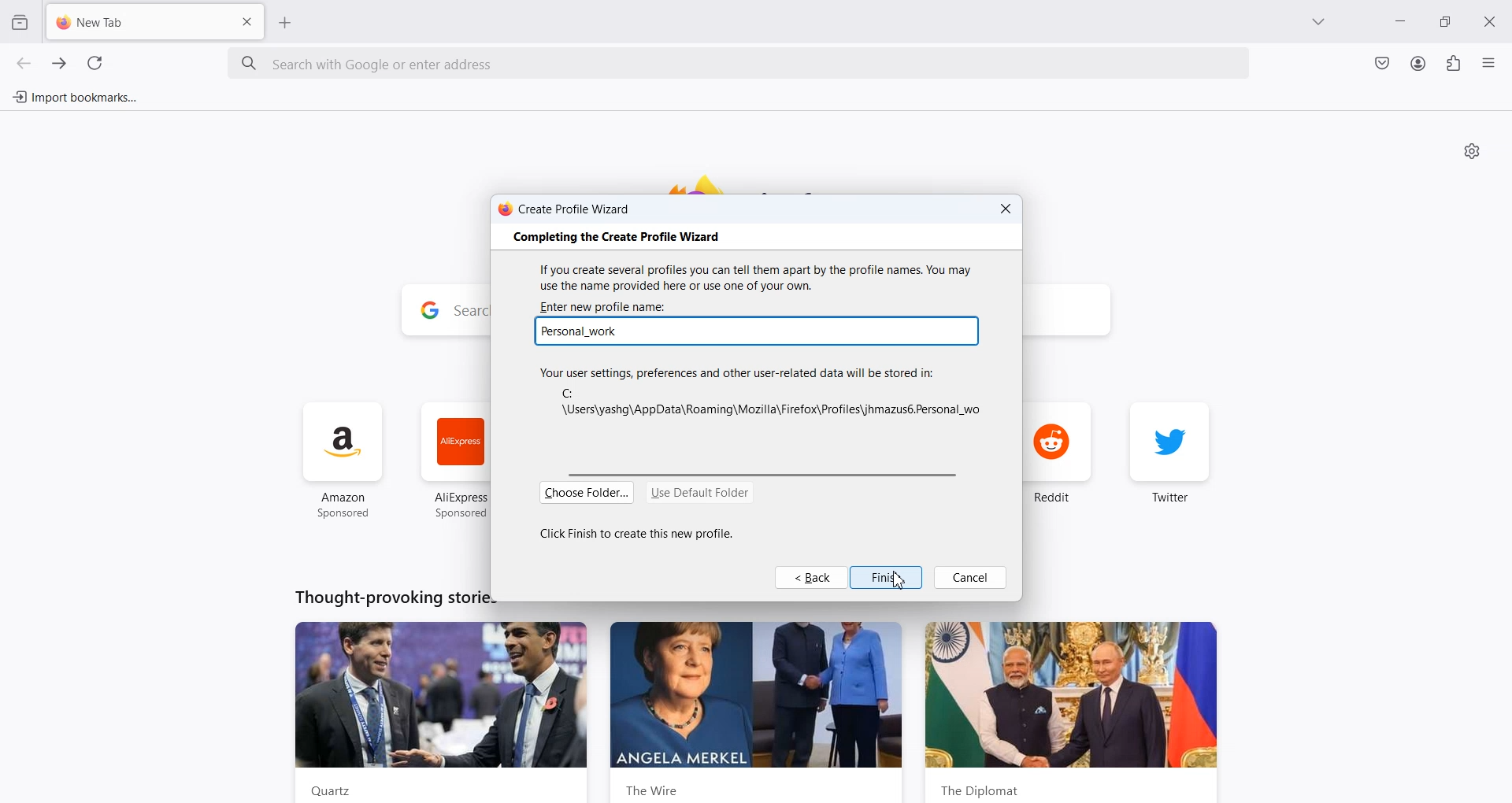 The width and height of the screenshot is (1512, 803). Describe the element at coordinates (1494, 20) in the screenshot. I see `Close` at that location.